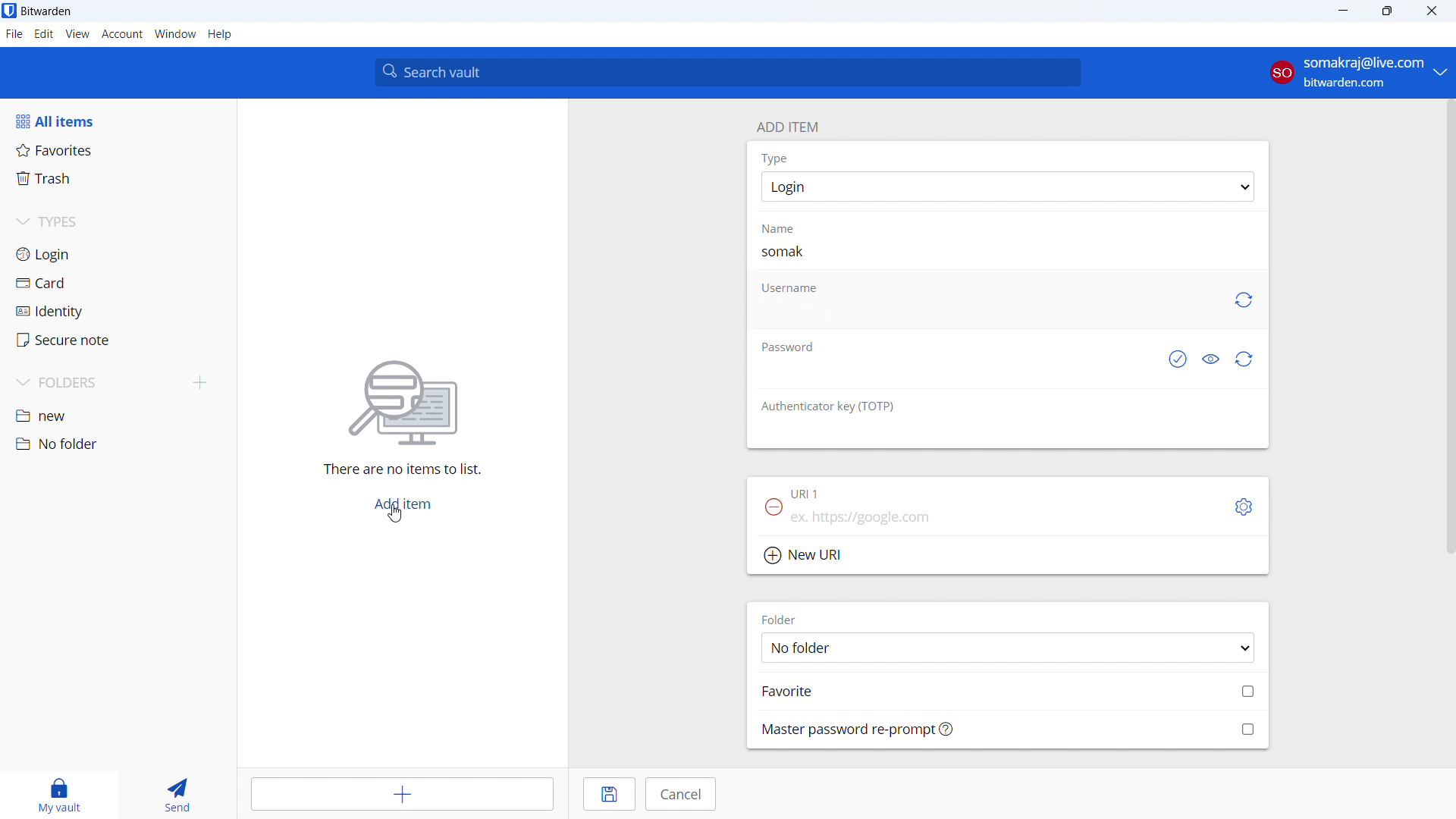  Describe the element at coordinates (118, 417) in the screenshot. I see `new` at that location.